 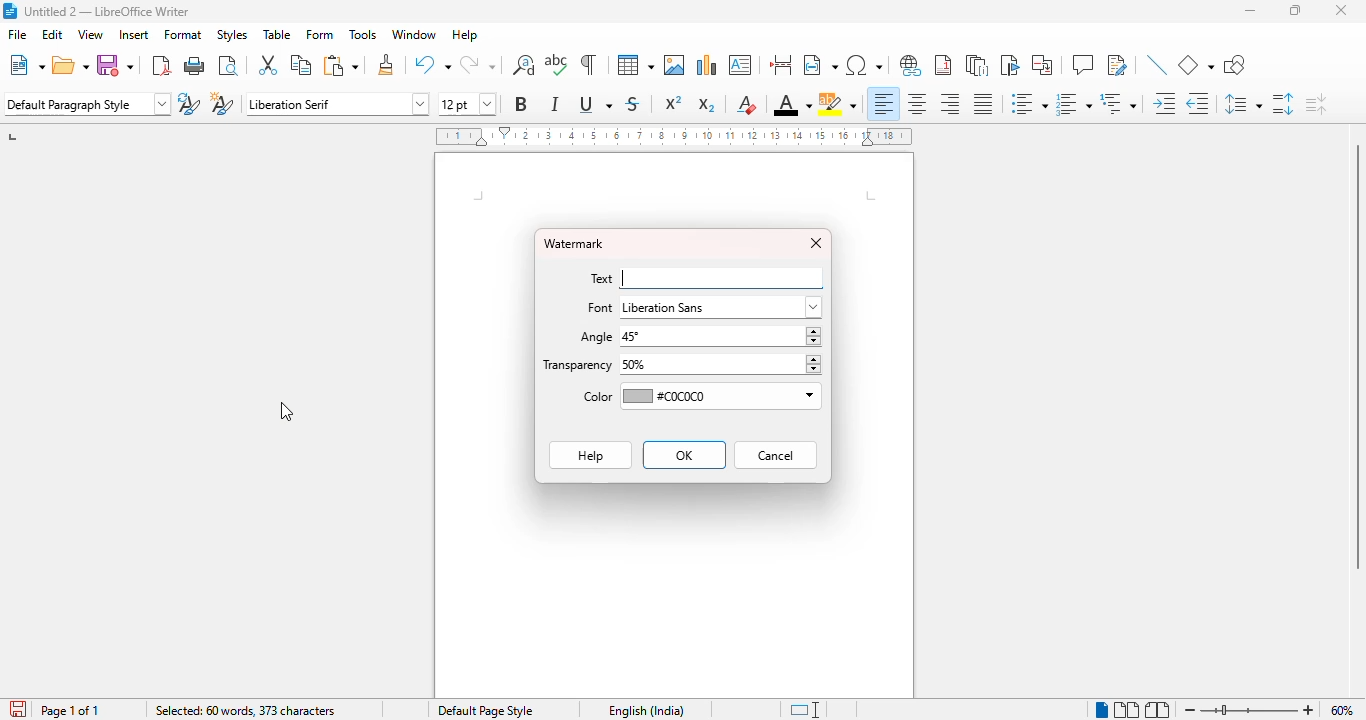 What do you see at coordinates (911, 65) in the screenshot?
I see `insert hyperlink` at bounding box center [911, 65].